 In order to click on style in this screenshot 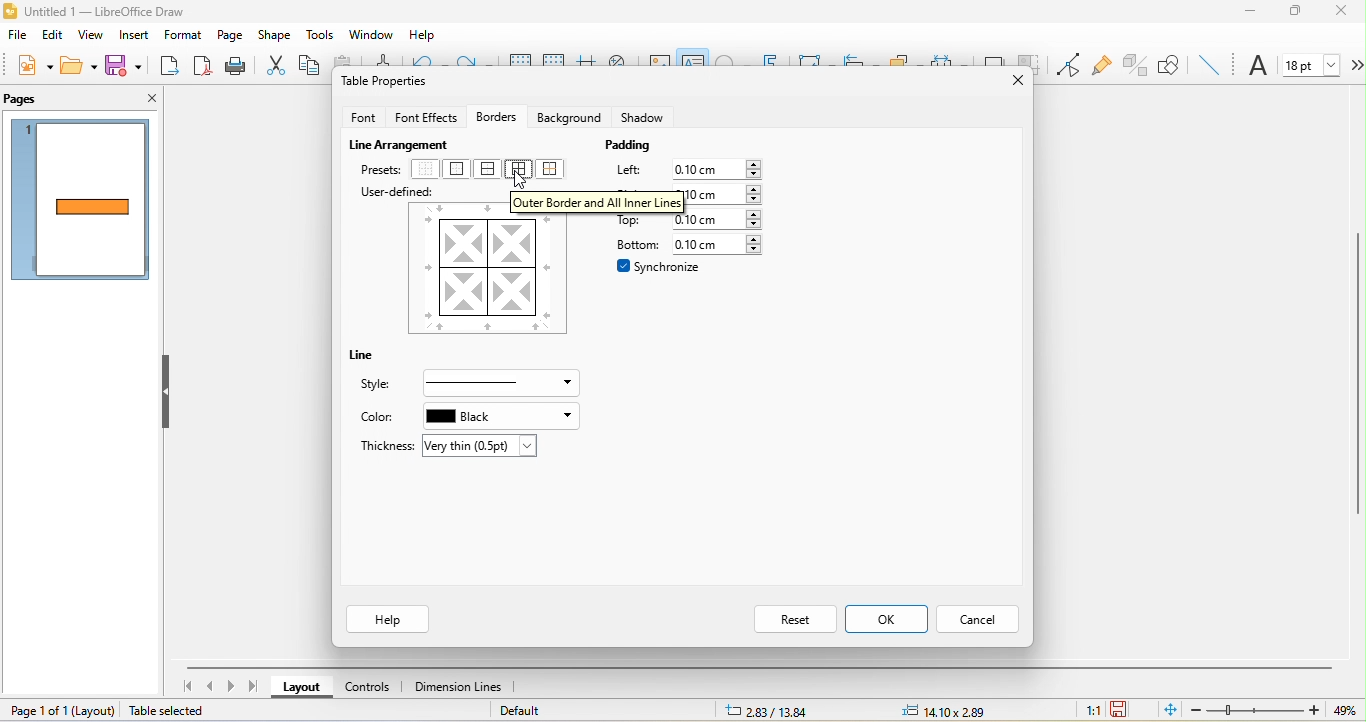, I will do `click(384, 385)`.